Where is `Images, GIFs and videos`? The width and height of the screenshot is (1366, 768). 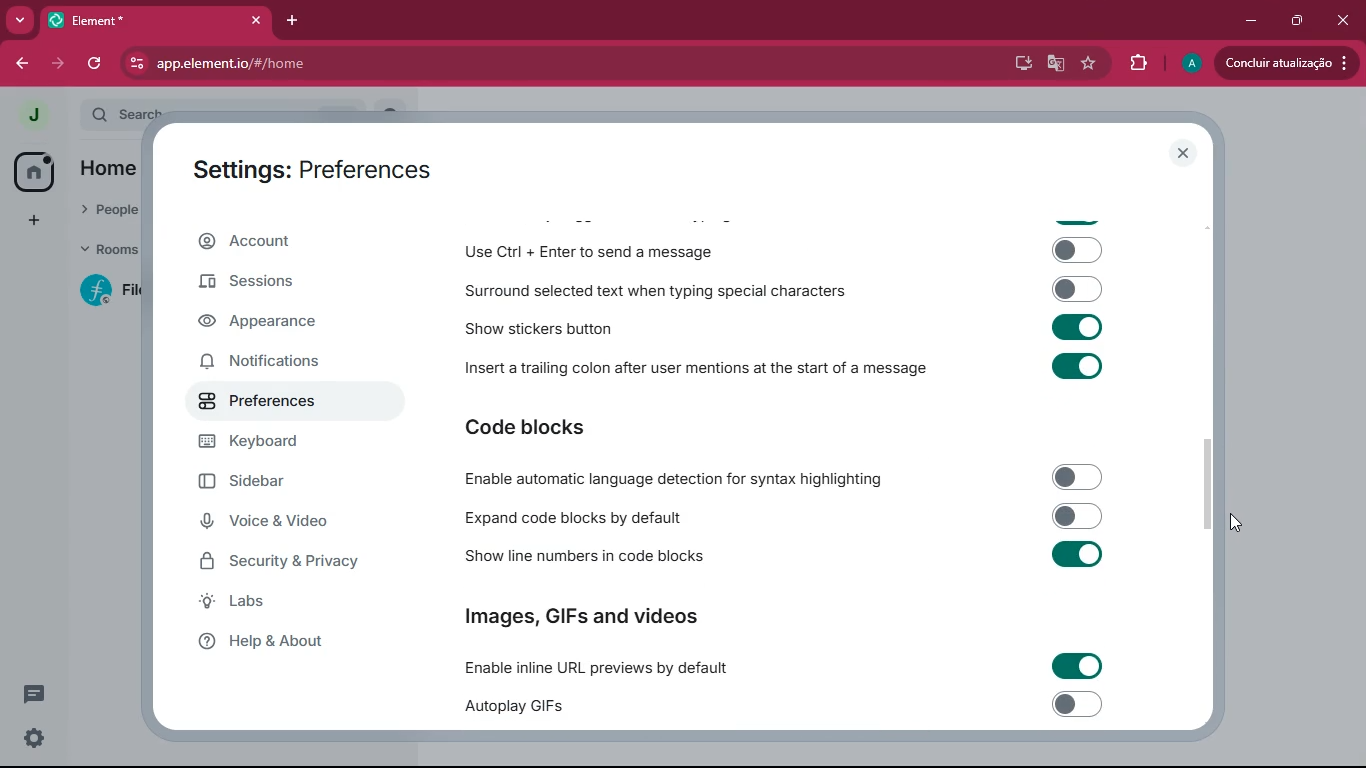
Images, GIFs and videos is located at coordinates (585, 614).